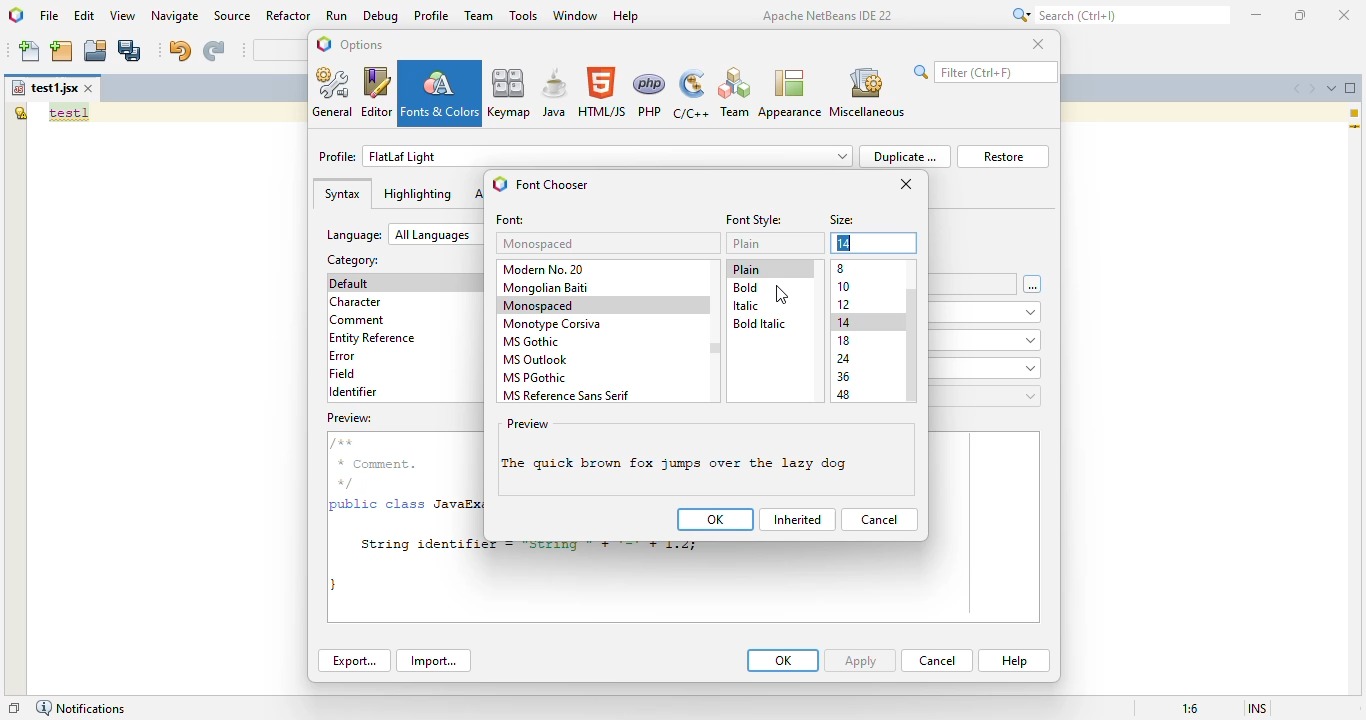 The width and height of the screenshot is (1366, 720). What do you see at coordinates (233, 16) in the screenshot?
I see `source` at bounding box center [233, 16].